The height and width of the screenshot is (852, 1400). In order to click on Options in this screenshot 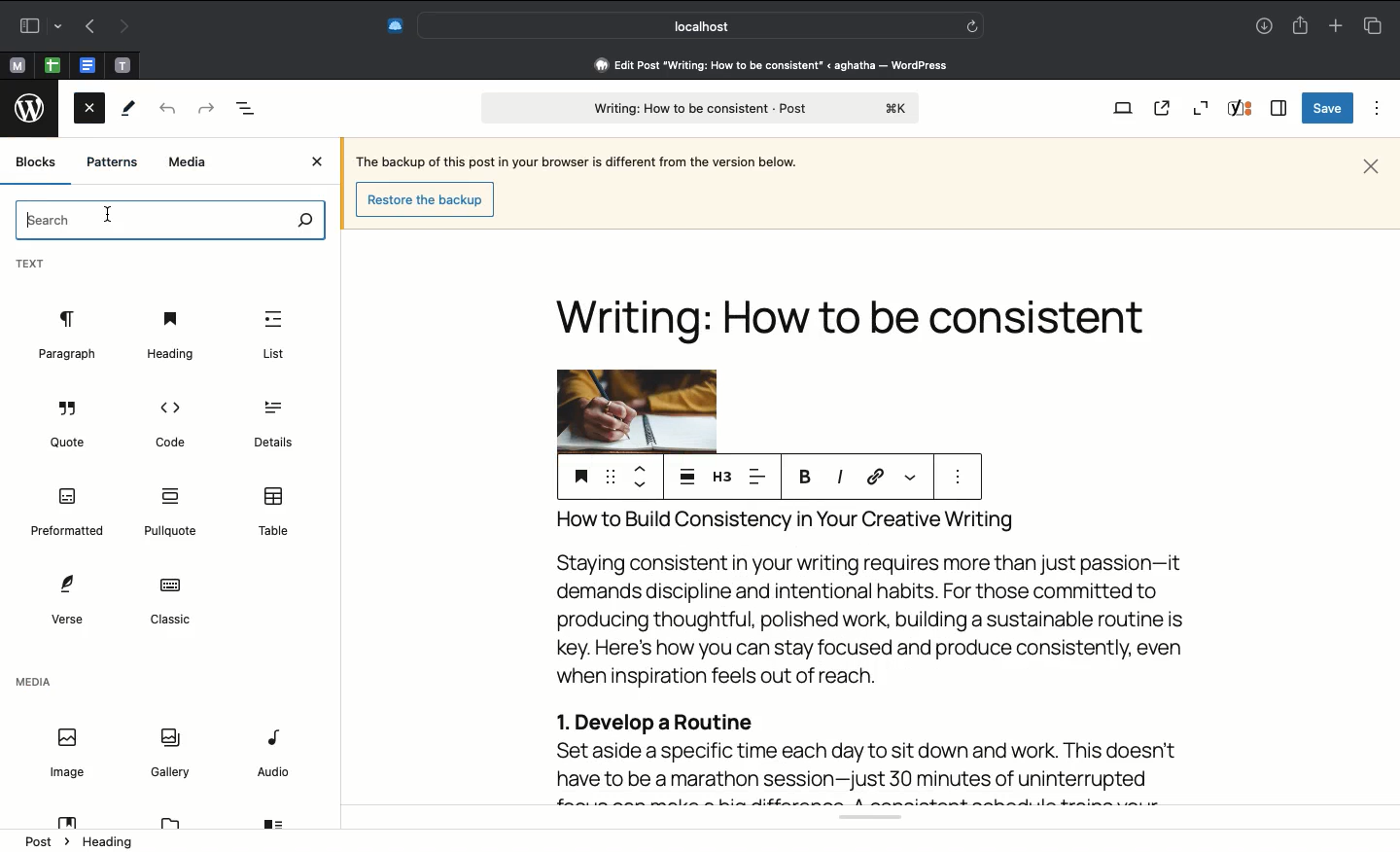, I will do `click(1379, 109)`.